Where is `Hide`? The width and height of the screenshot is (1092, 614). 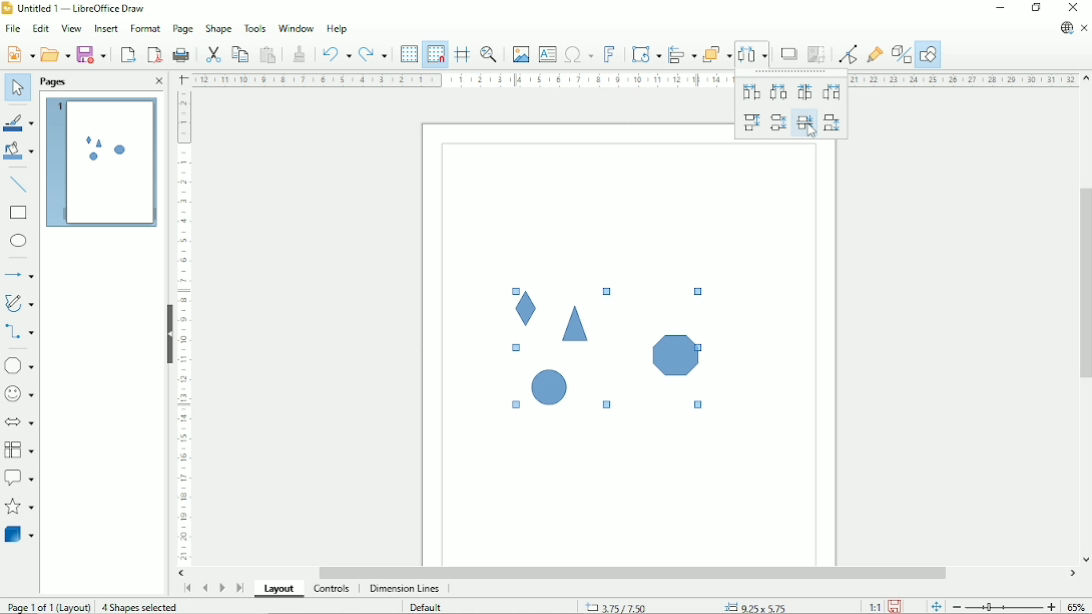 Hide is located at coordinates (166, 329).